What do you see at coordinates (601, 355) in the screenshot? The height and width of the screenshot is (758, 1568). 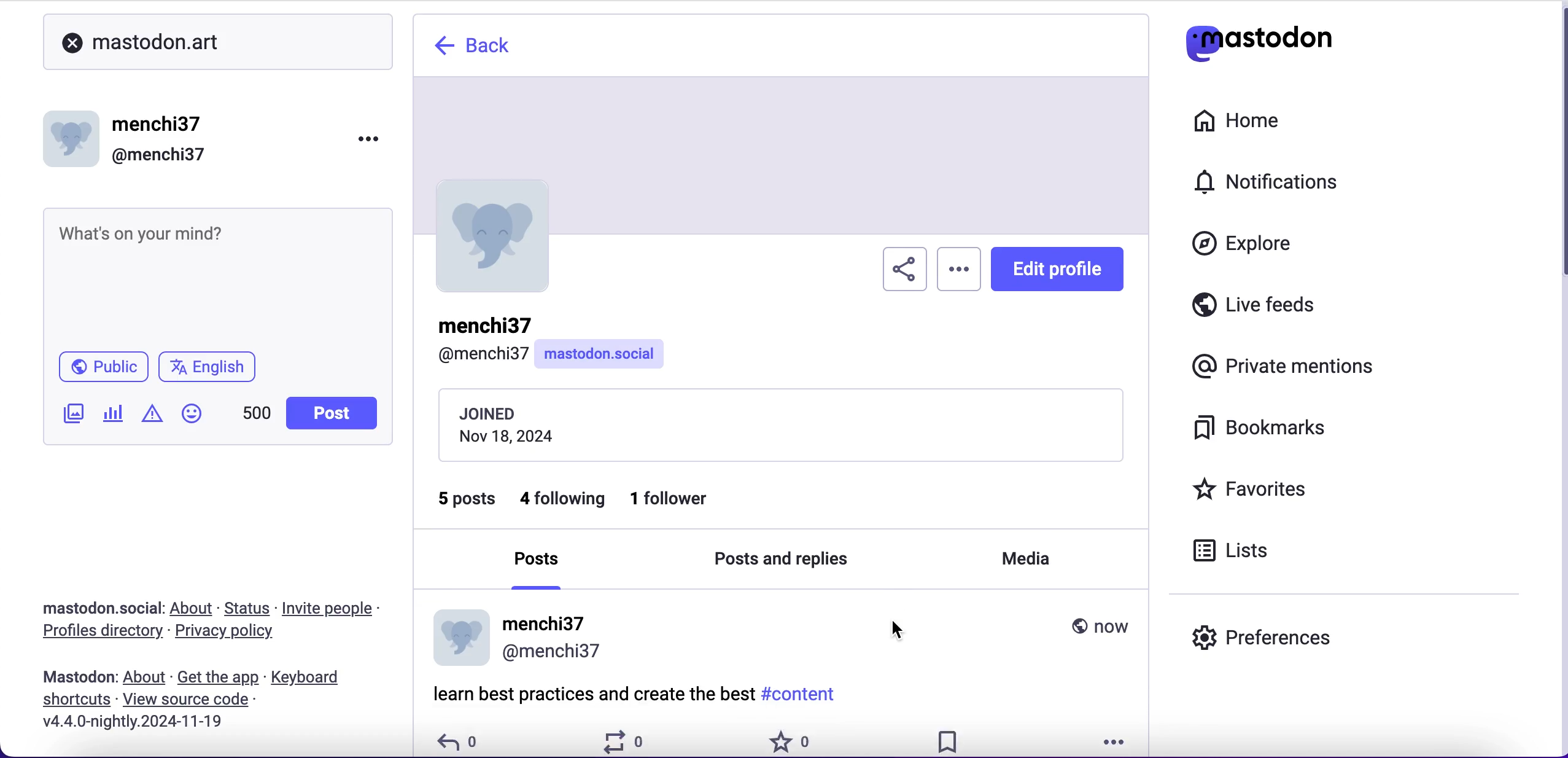 I see `mastodon.social` at bounding box center [601, 355].